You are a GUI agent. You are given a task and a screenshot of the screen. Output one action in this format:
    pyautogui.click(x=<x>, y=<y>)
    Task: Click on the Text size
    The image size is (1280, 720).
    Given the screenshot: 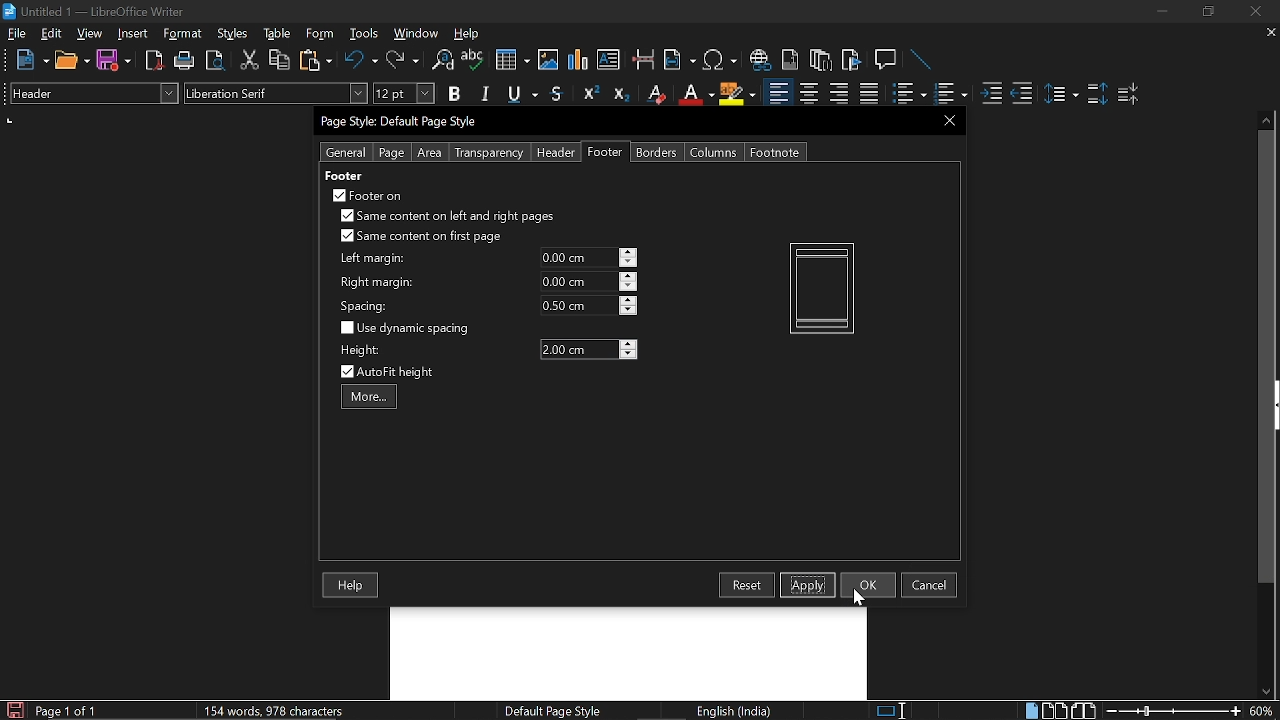 What is the action you would take?
    pyautogui.click(x=403, y=93)
    